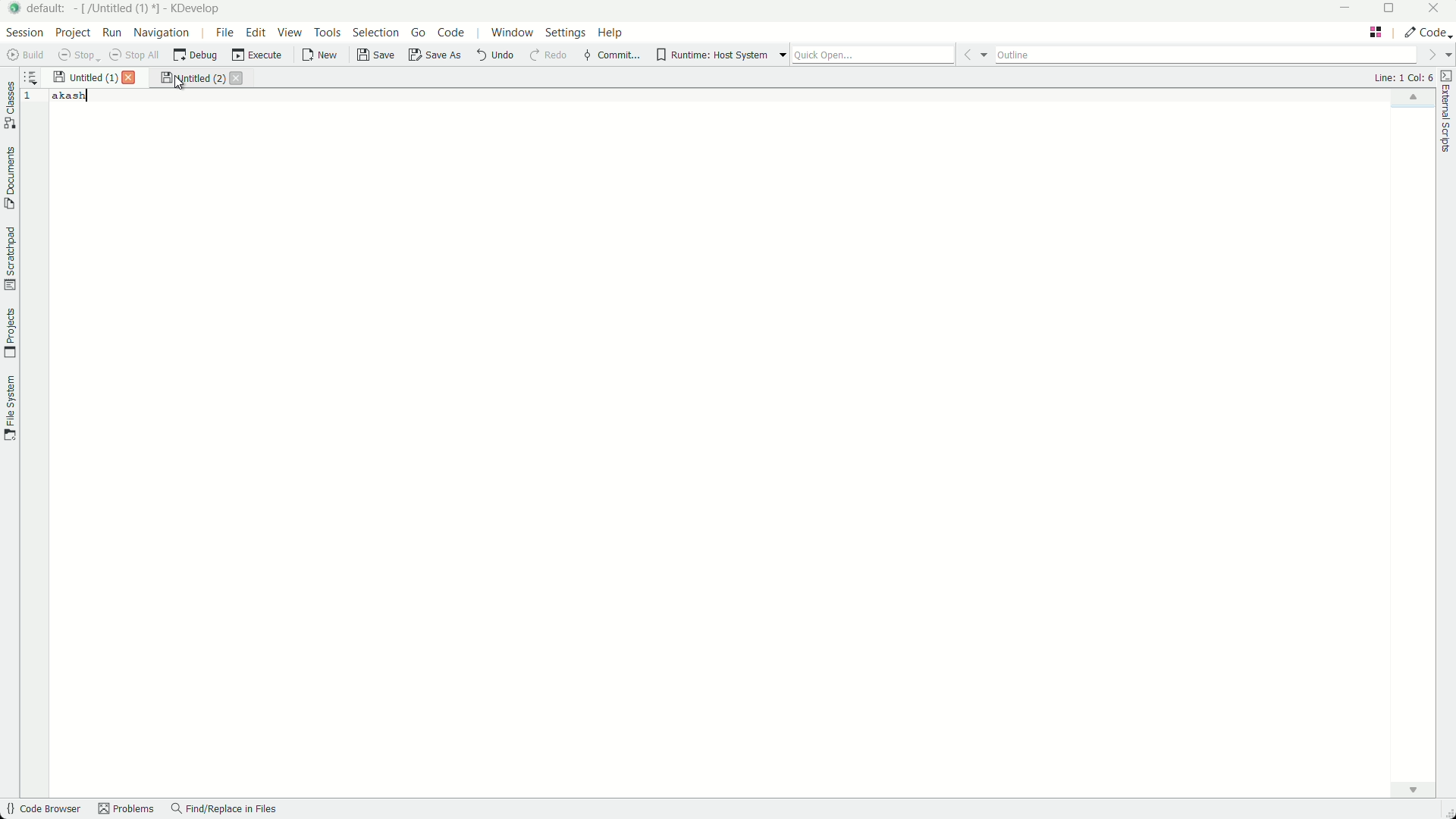  I want to click on file 1 name, so click(84, 78).